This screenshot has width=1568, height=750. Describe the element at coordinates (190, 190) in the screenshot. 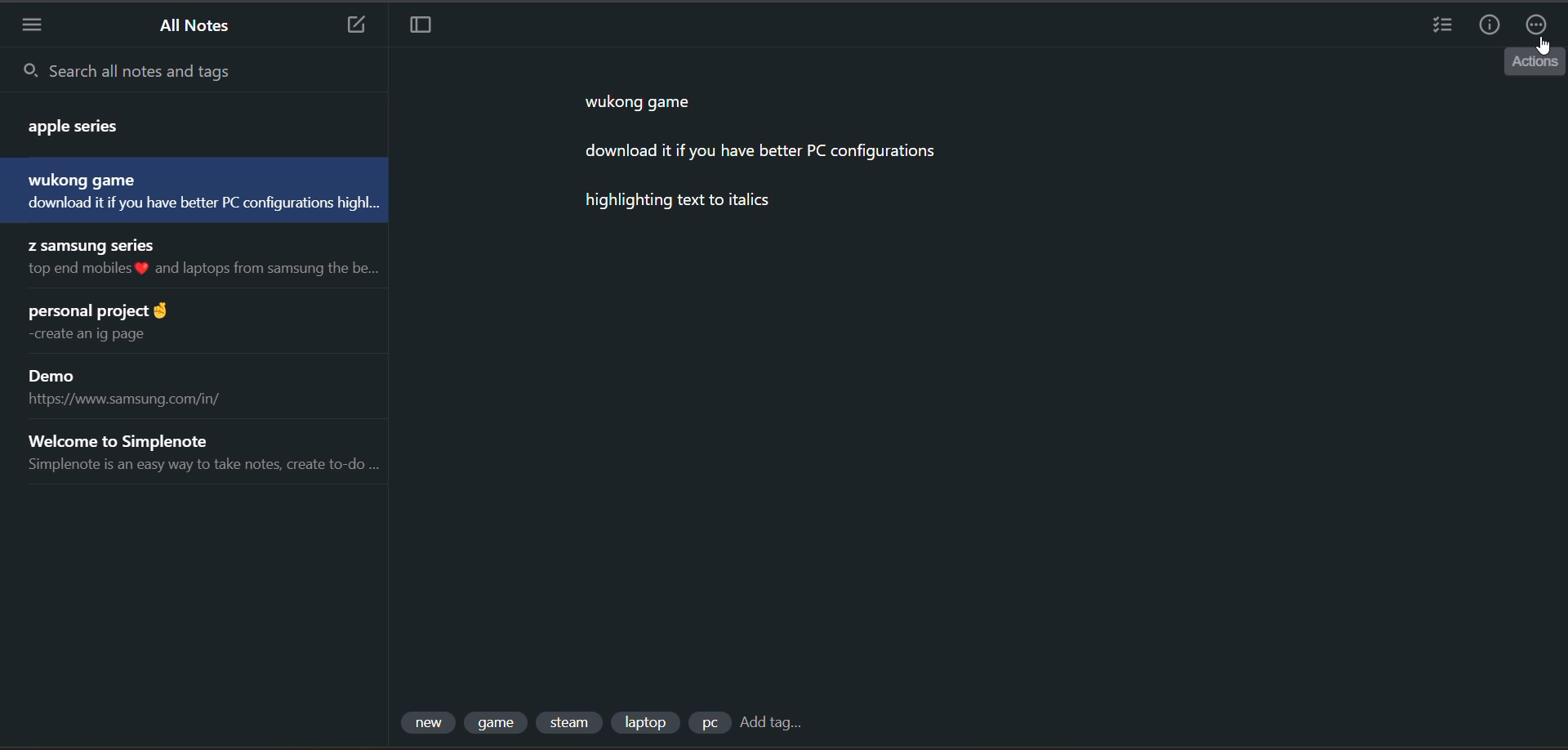

I see `note title and preview` at that location.